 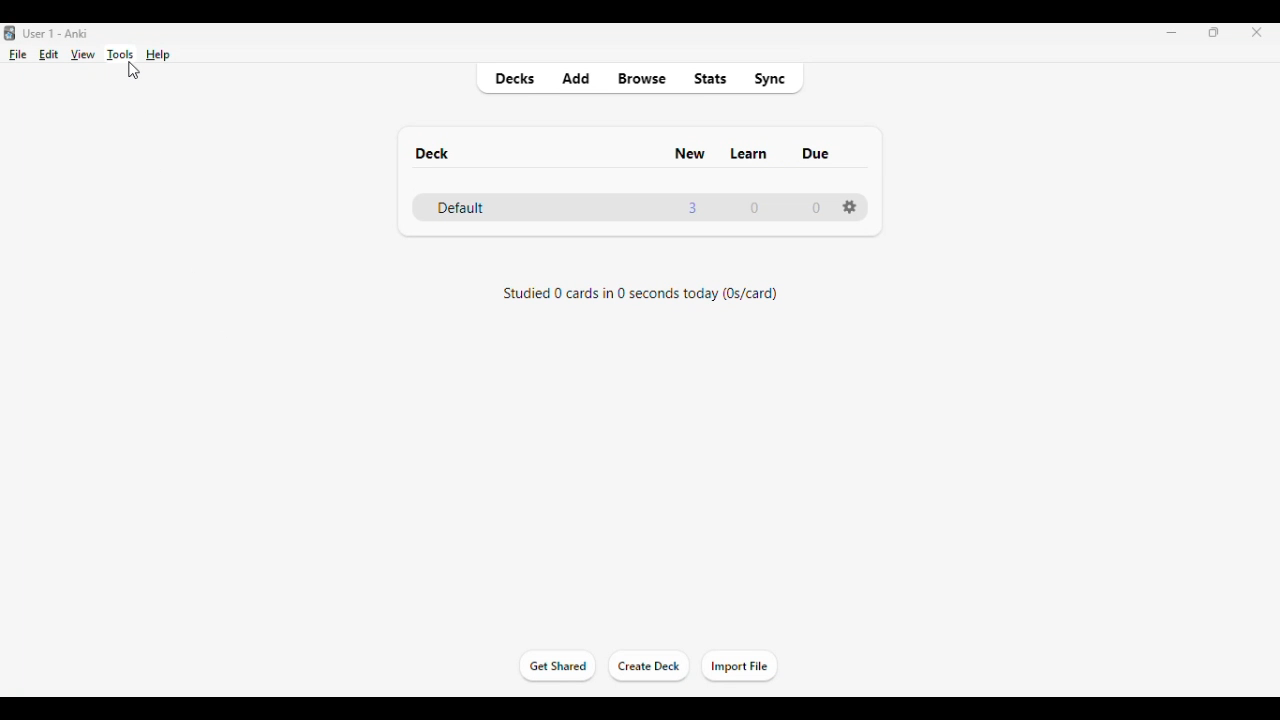 I want to click on 0, so click(x=816, y=208).